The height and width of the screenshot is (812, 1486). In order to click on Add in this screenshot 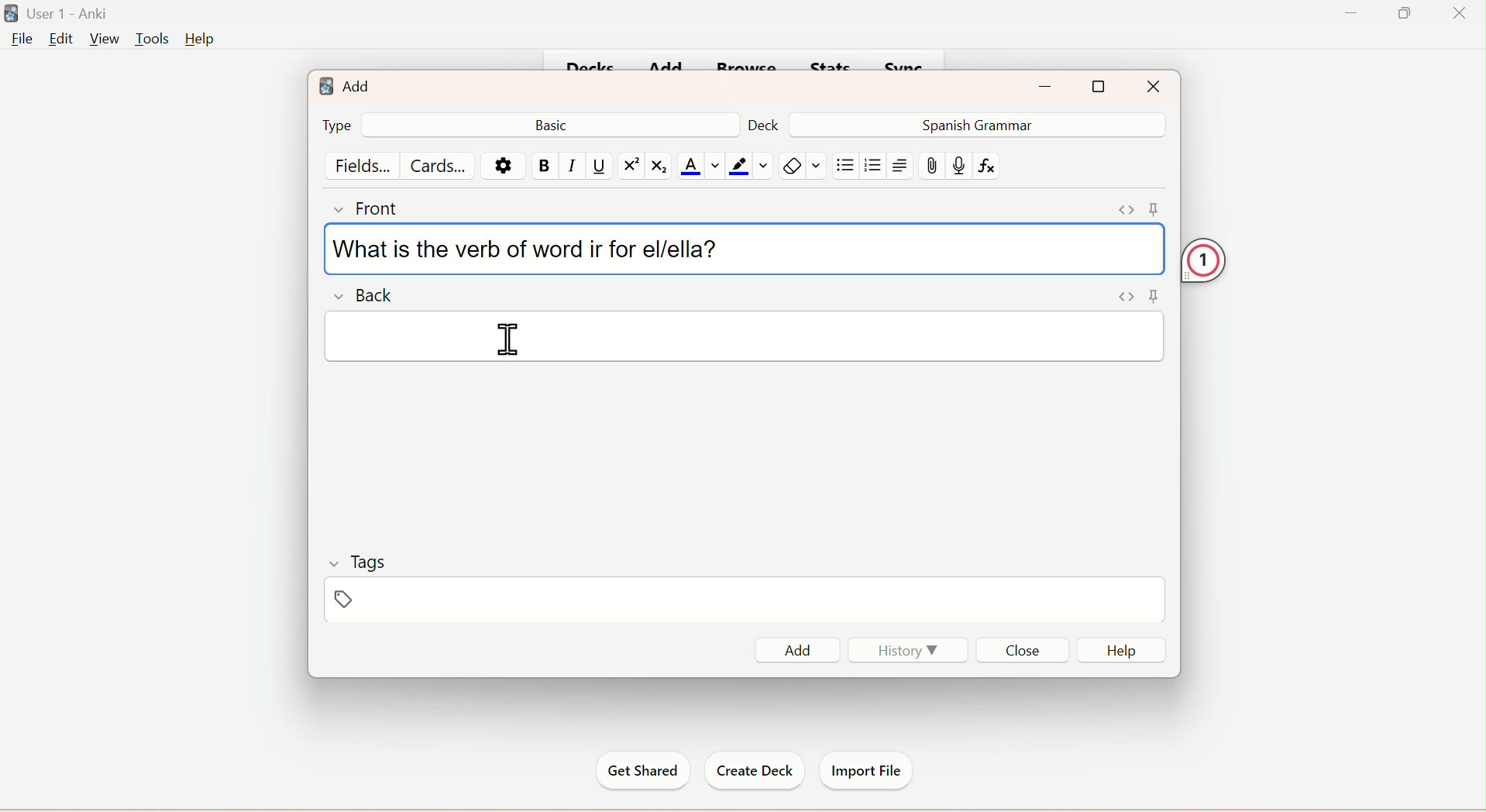, I will do `click(802, 648)`.